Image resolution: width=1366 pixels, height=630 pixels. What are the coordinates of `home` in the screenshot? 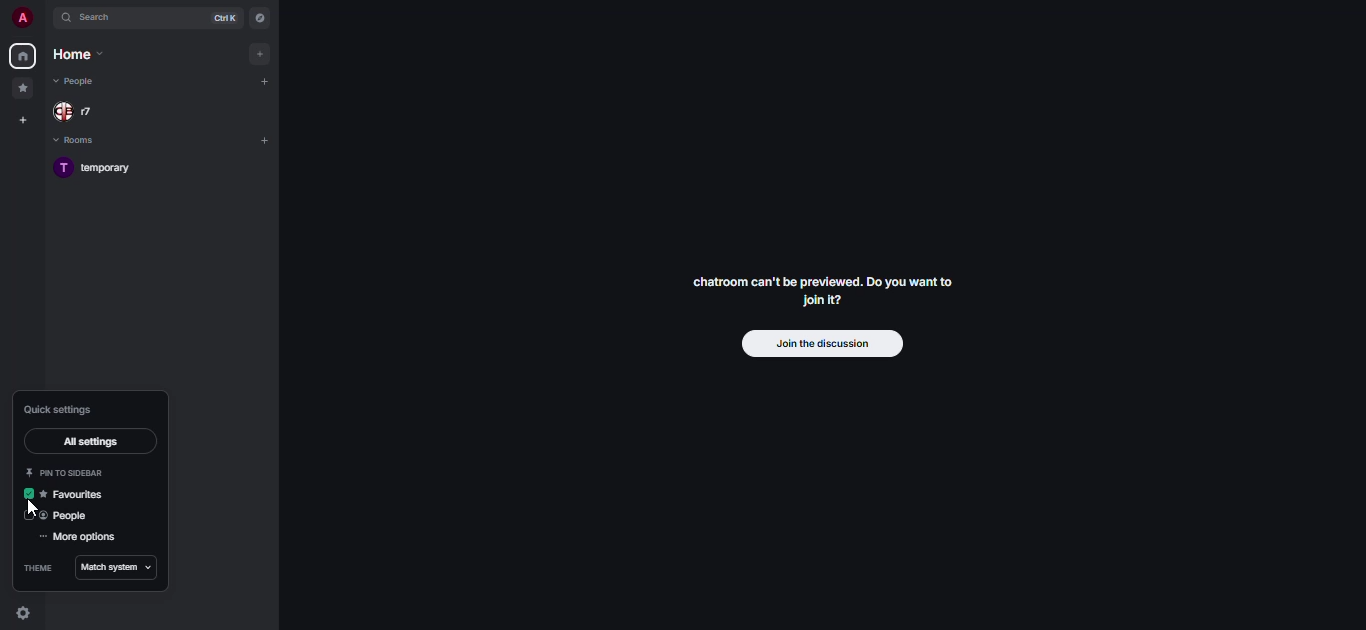 It's located at (22, 56).